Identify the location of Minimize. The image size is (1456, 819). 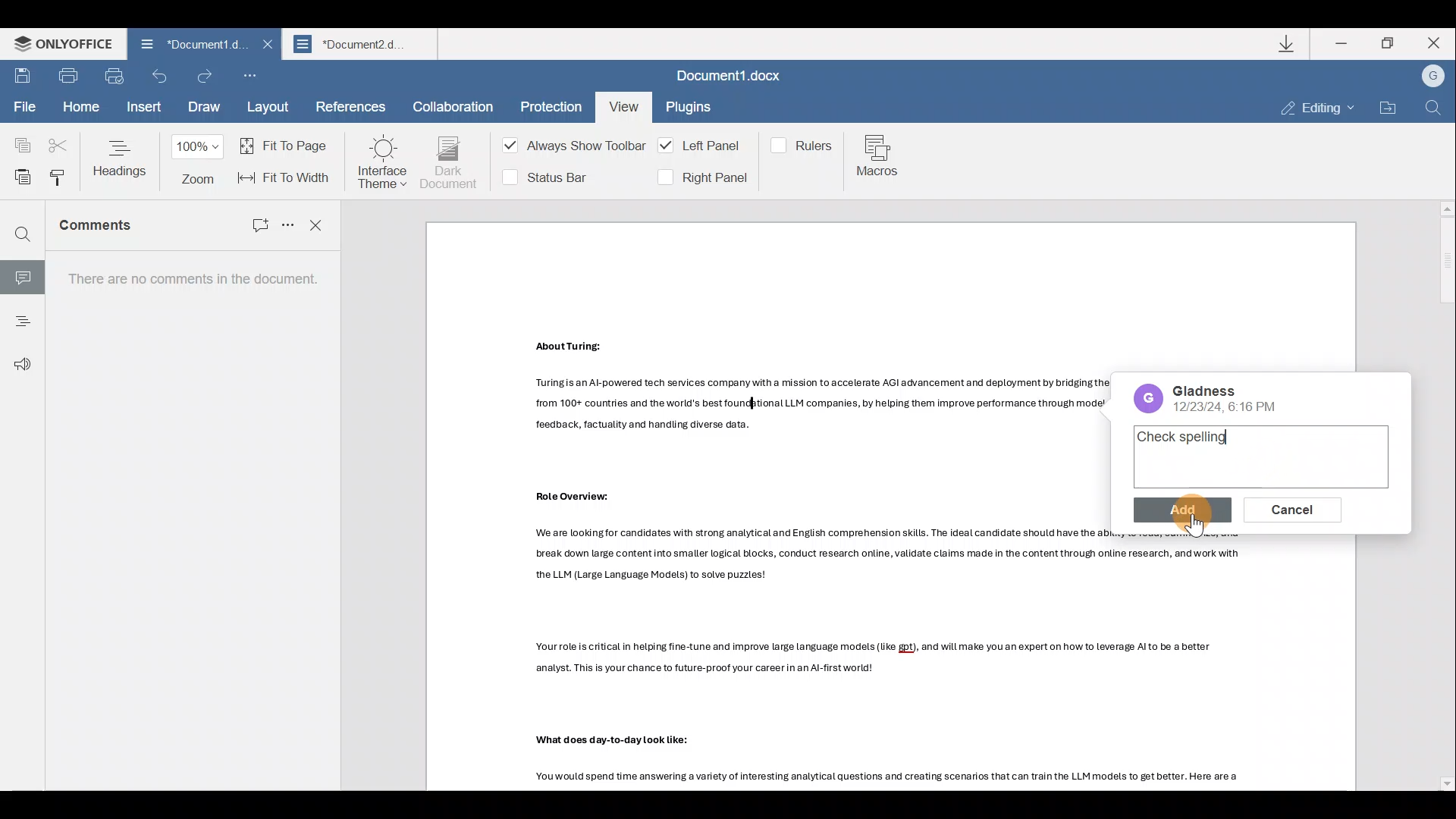
(1343, 42).